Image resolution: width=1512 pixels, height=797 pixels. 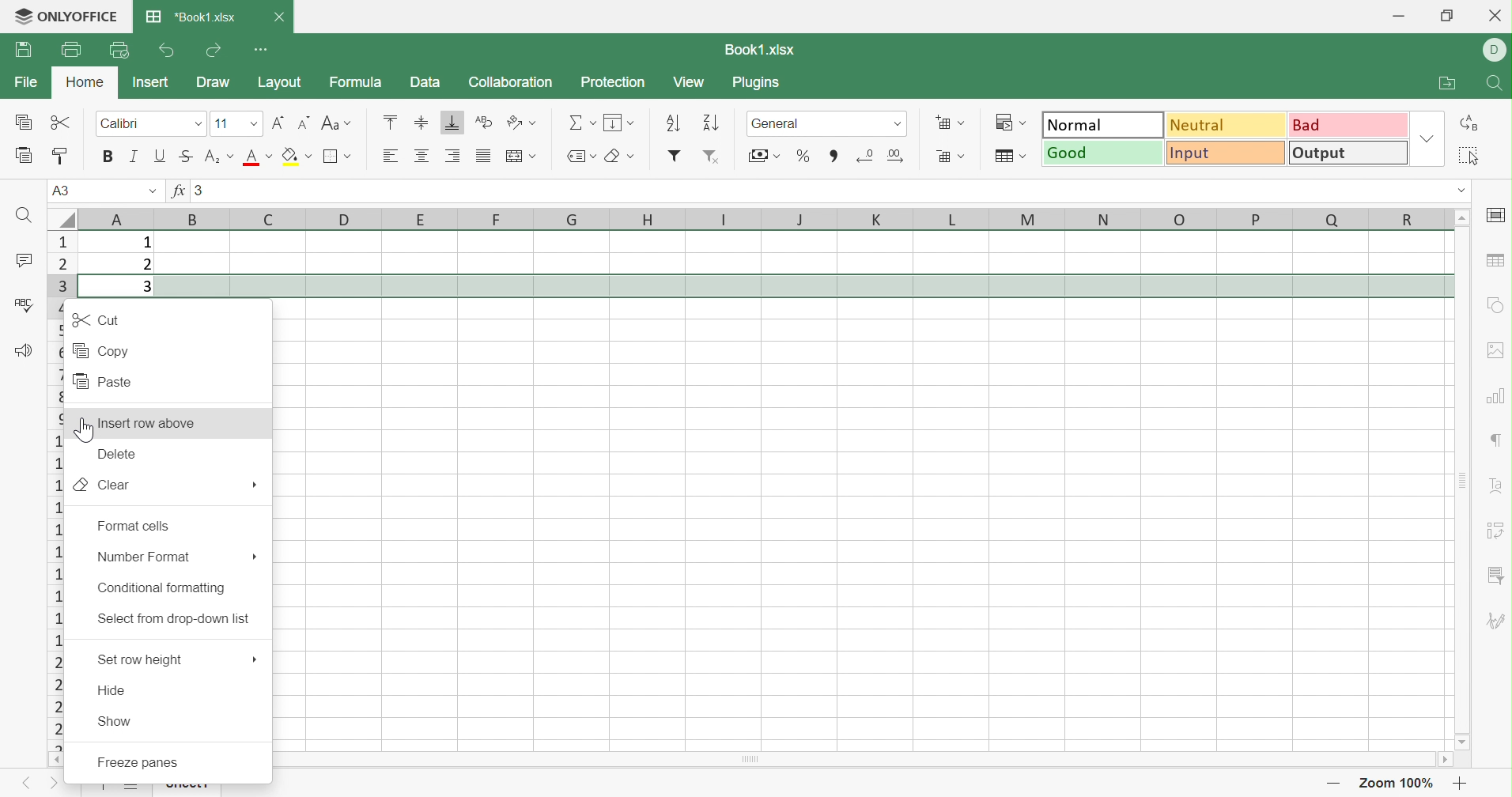 I want to click on Zoom in, so click(x=1465, y=784).